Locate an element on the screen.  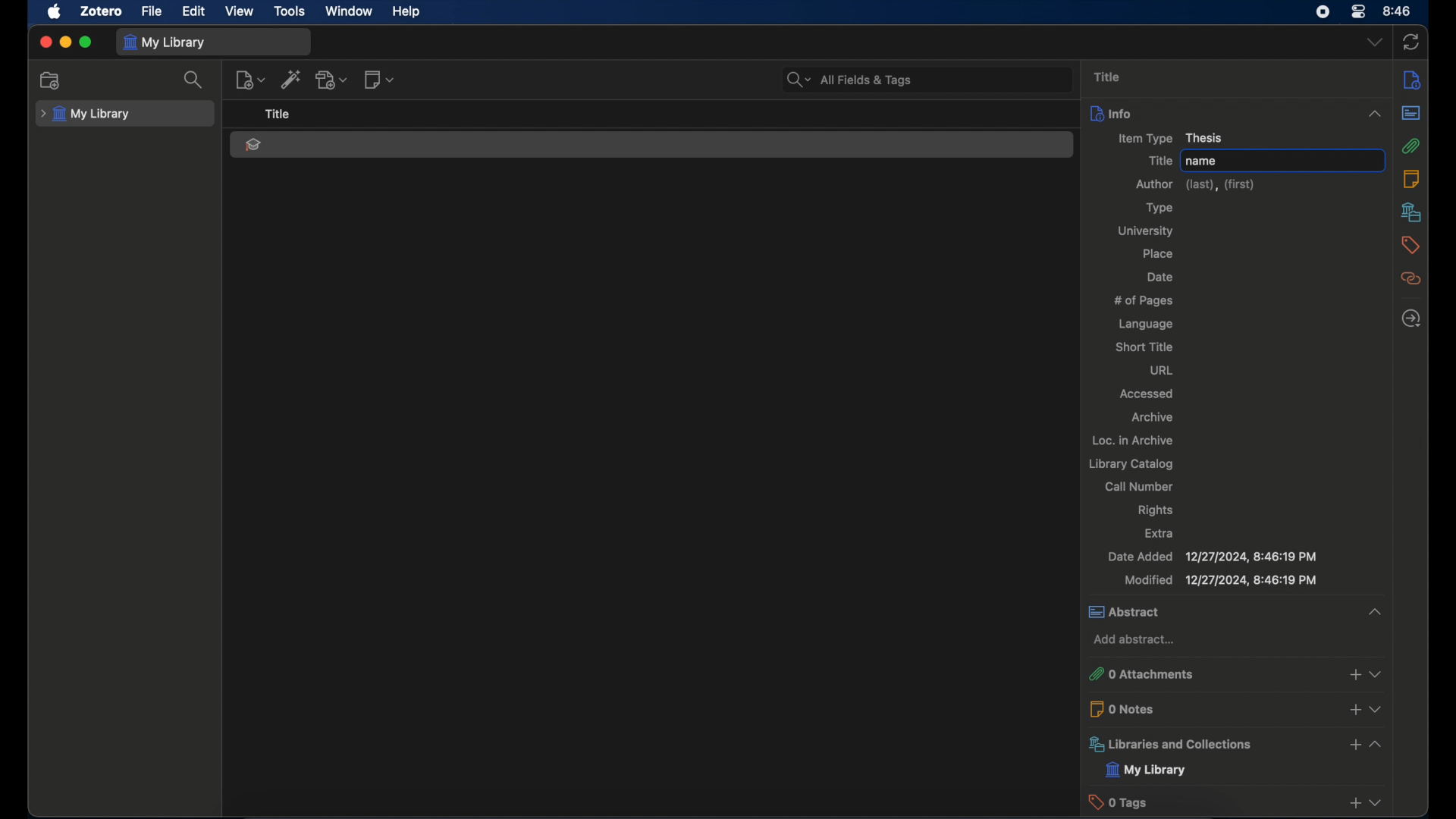
abstract is located at coordinates (1411, 114).